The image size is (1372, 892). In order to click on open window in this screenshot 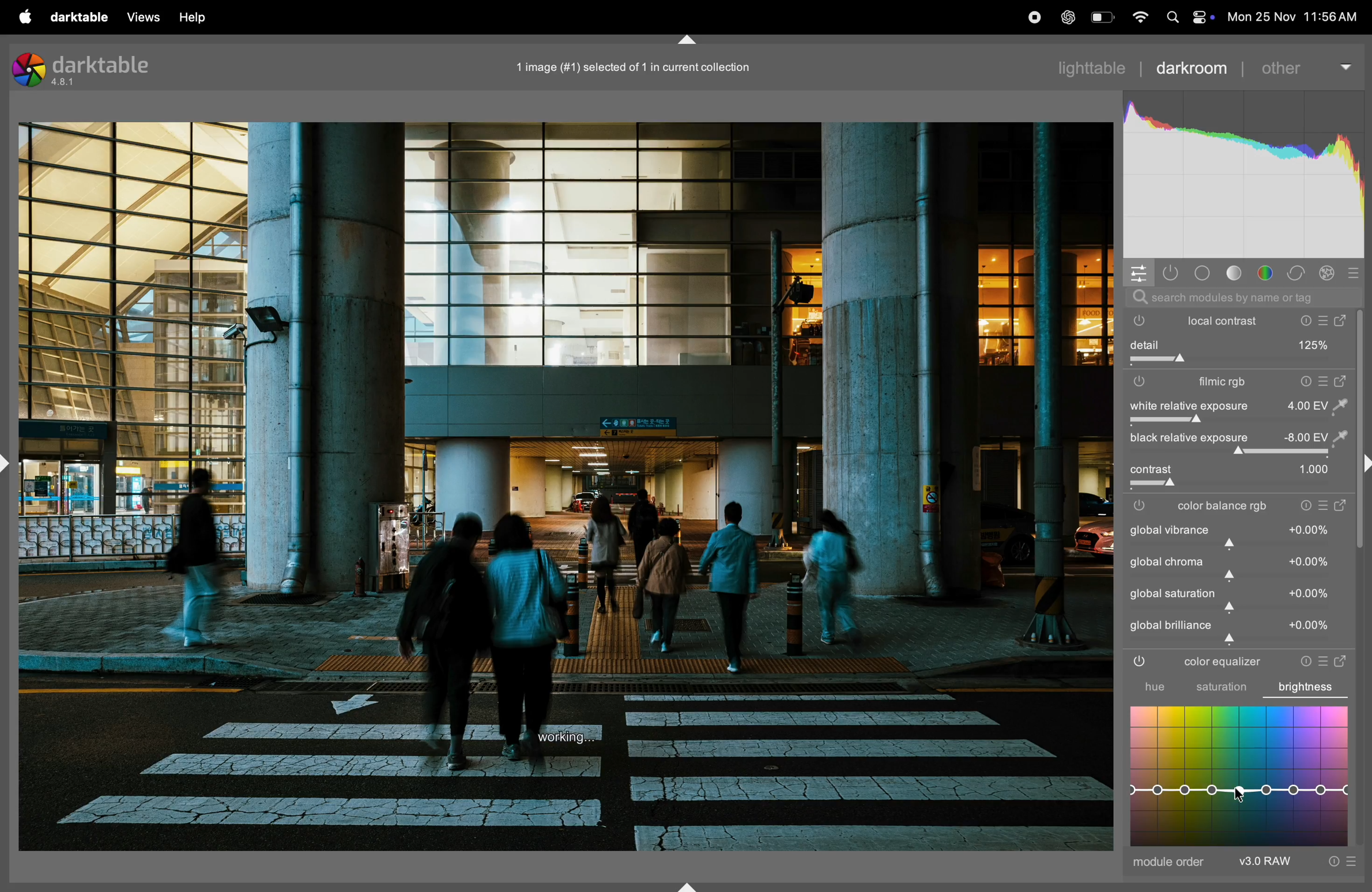, I will do `click(1342, 507)`.